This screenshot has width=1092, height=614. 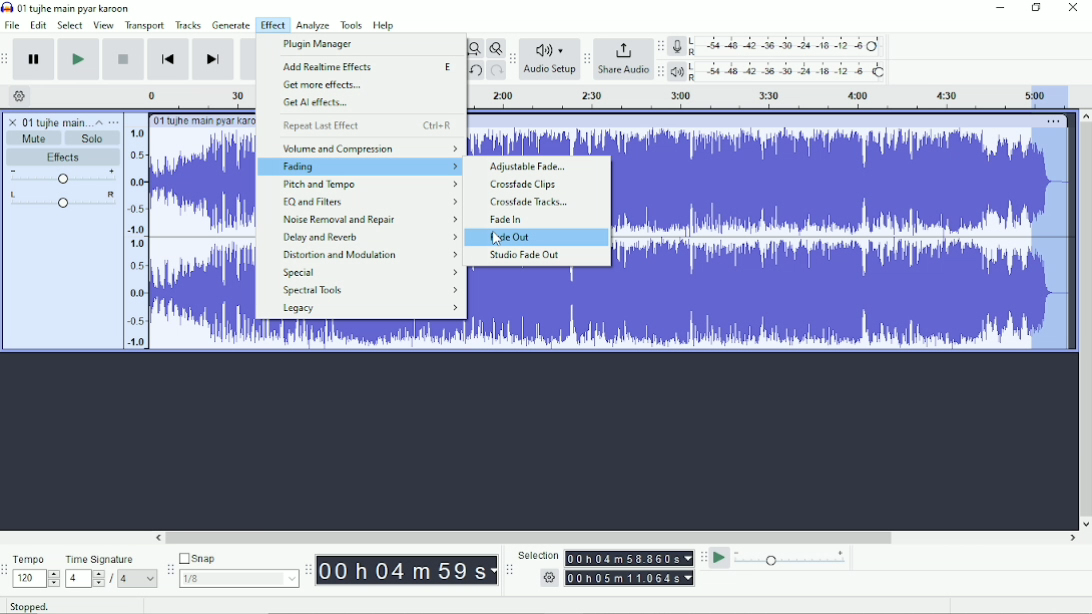 What do you see at coordinates (526, 255) in the screenshot?
I see `Studio Fade Out` at bounding box center [526, 255].